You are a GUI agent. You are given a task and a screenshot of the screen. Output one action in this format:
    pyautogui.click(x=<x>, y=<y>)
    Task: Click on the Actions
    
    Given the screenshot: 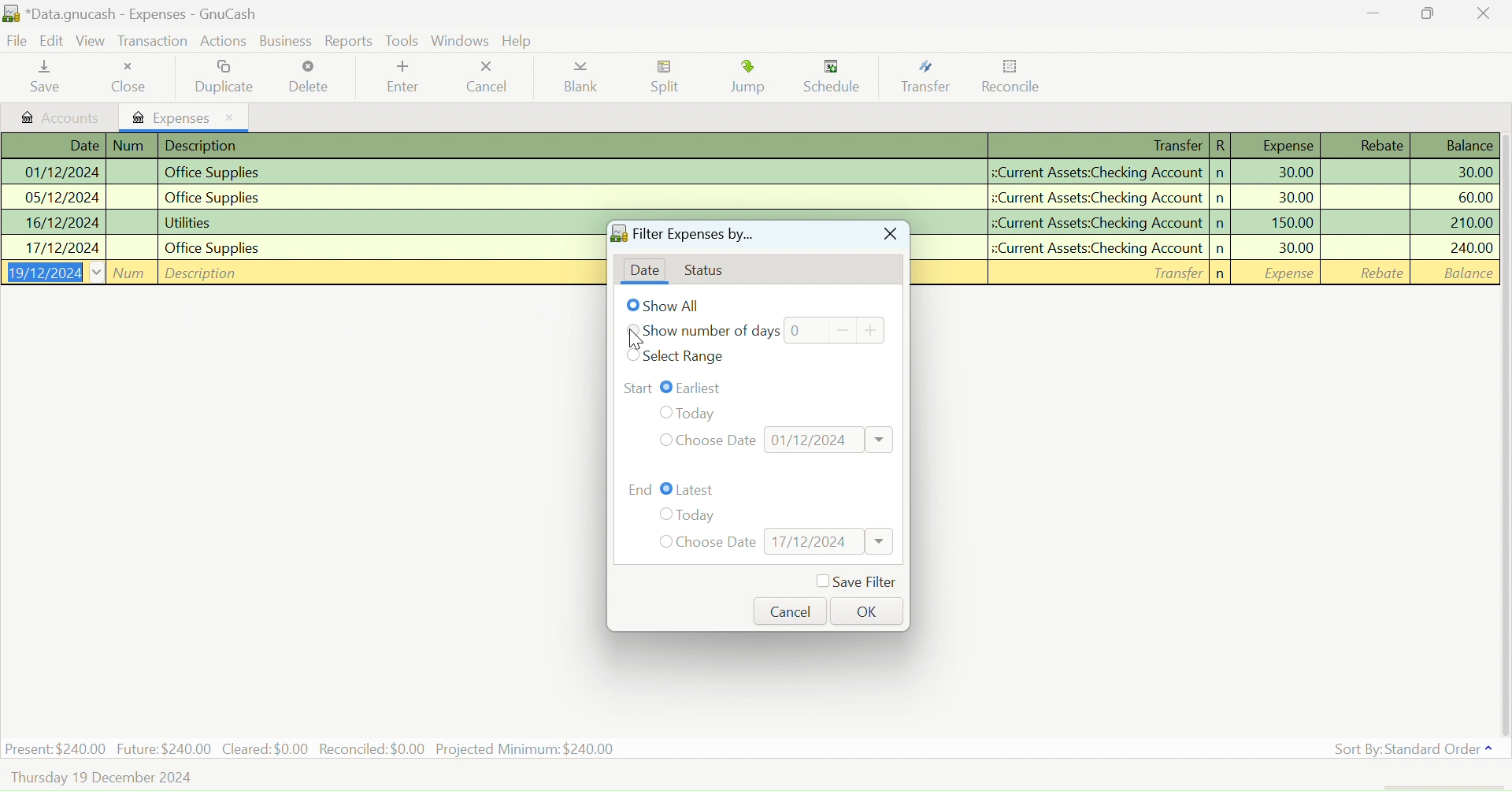 What is the action you would take?
    pyautogui.click(x=226, y=40)
    